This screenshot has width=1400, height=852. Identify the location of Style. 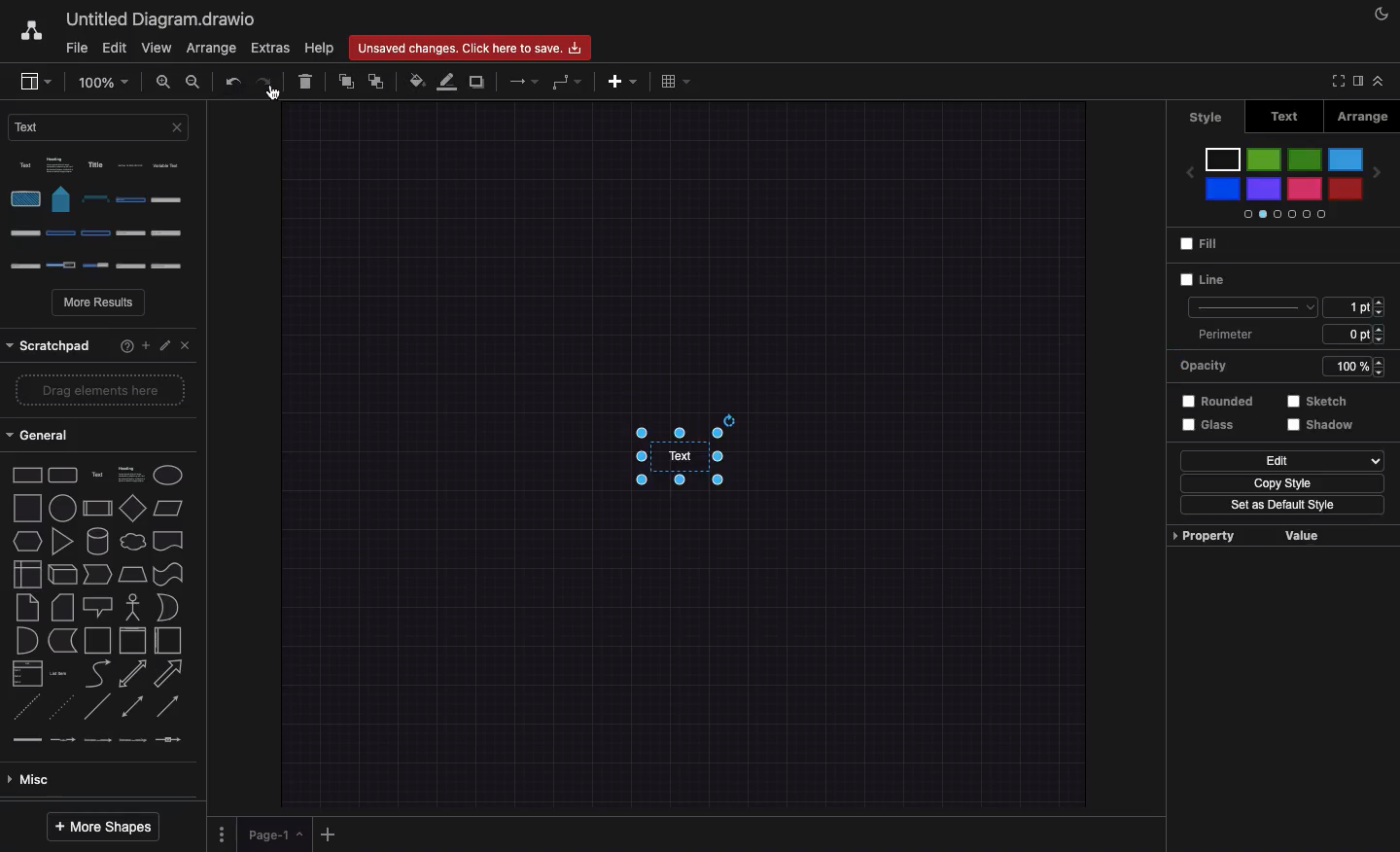
(1250, 308).